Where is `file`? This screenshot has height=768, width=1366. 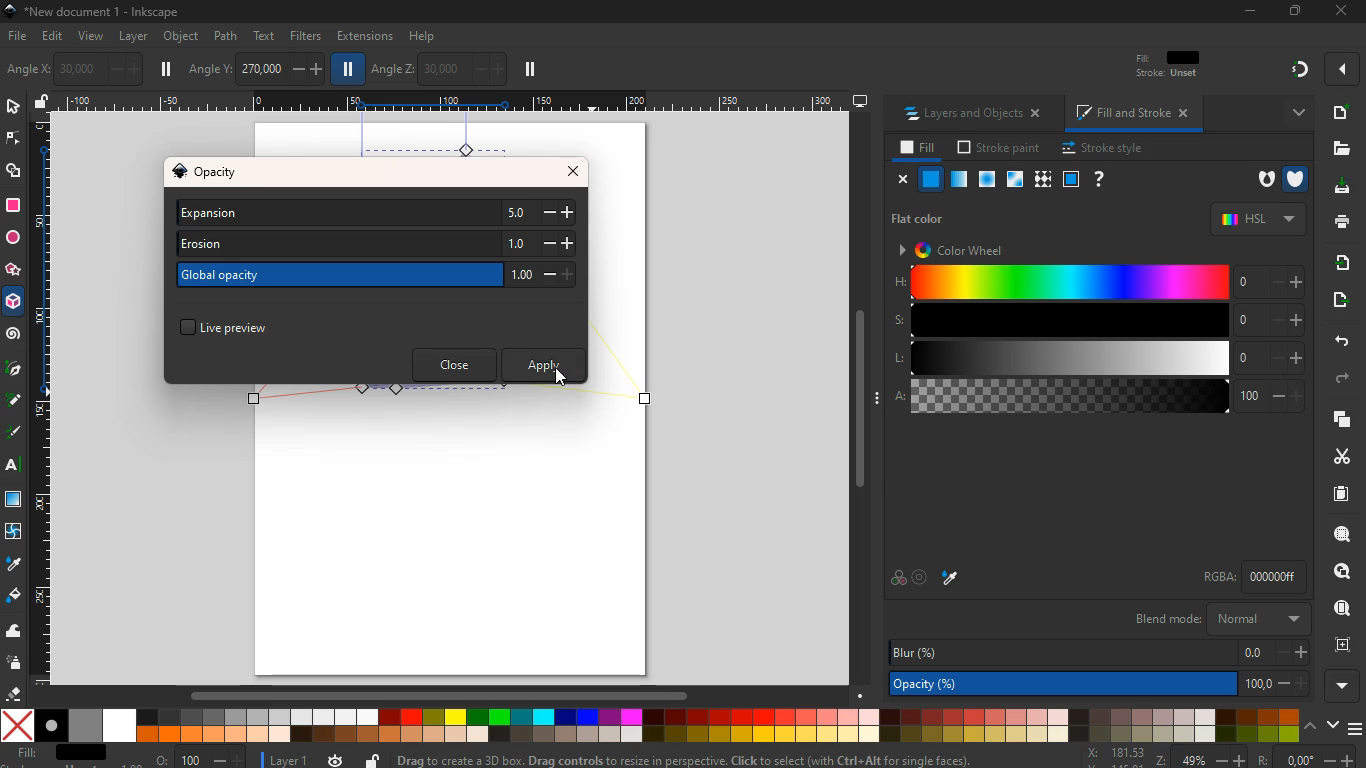
file is located at coordinates (16, 35).